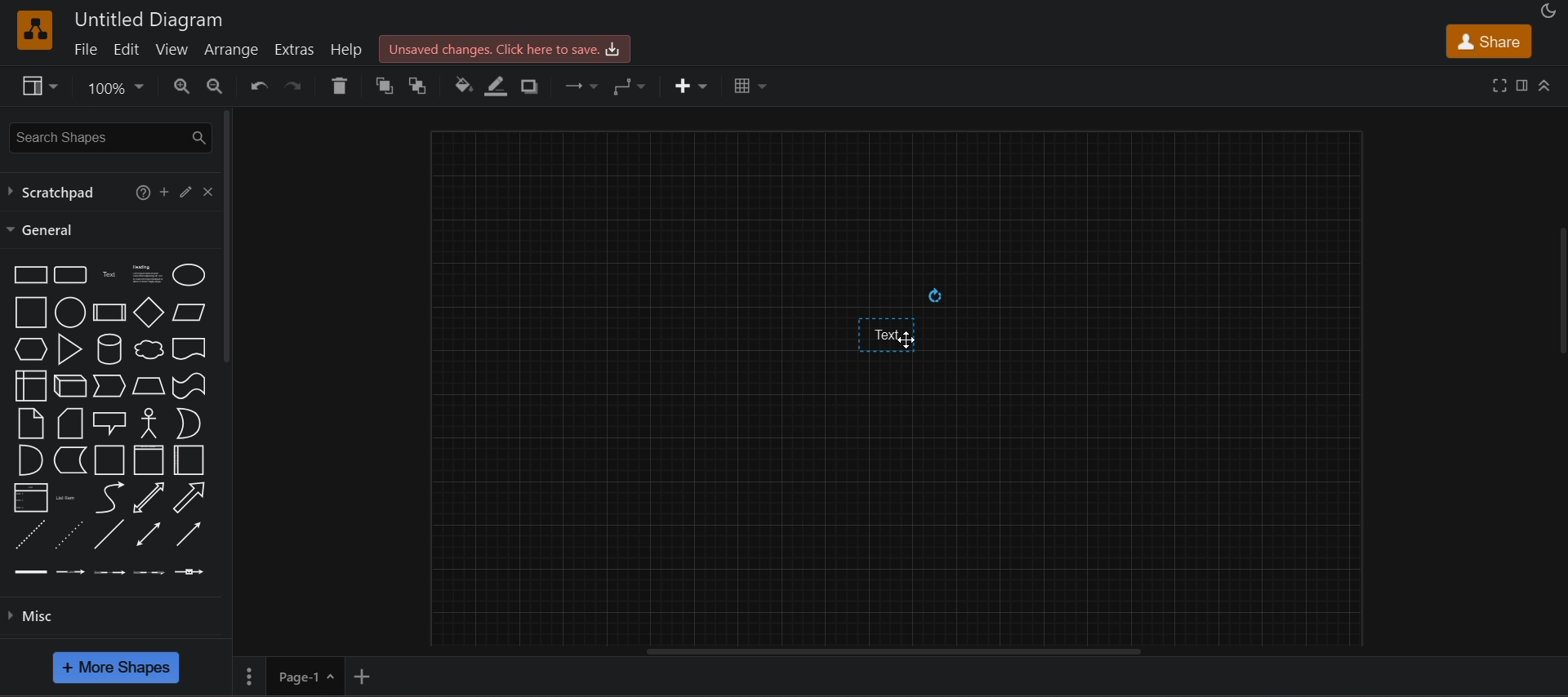  I want to click on Cylinder, so click(109, 349).